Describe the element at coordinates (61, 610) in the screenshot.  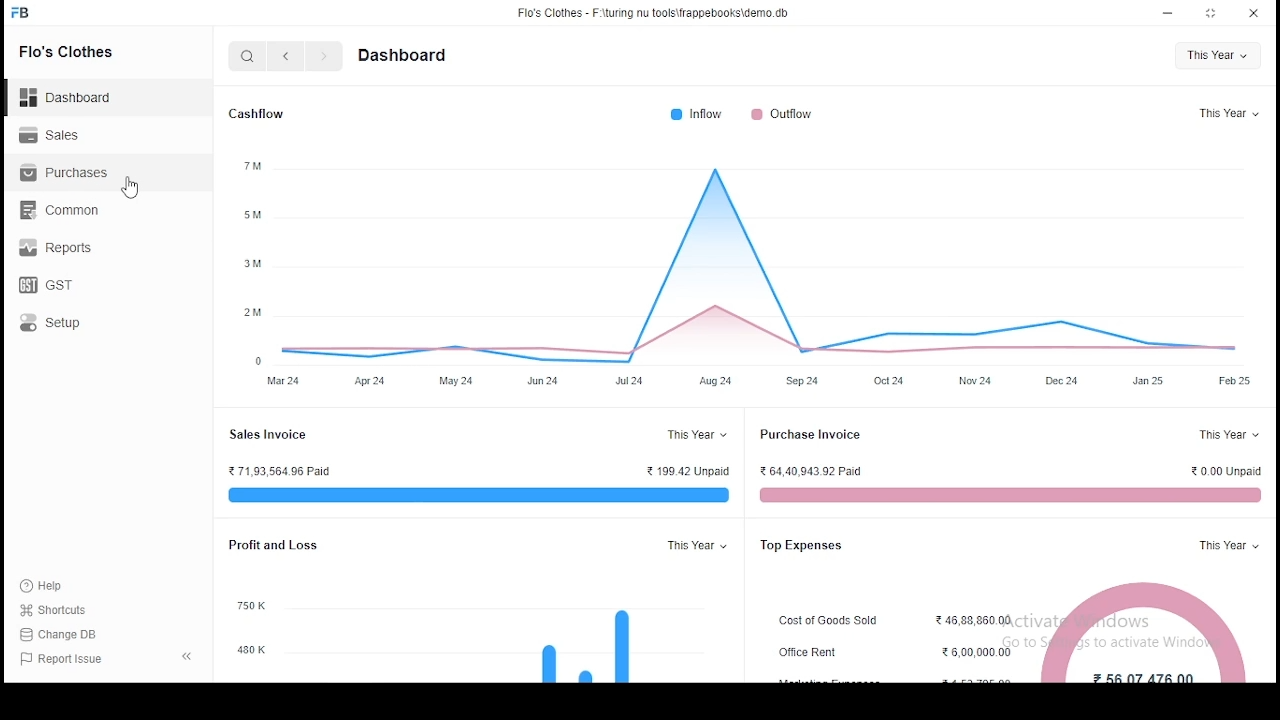
I see `Shortcuts` at that location.